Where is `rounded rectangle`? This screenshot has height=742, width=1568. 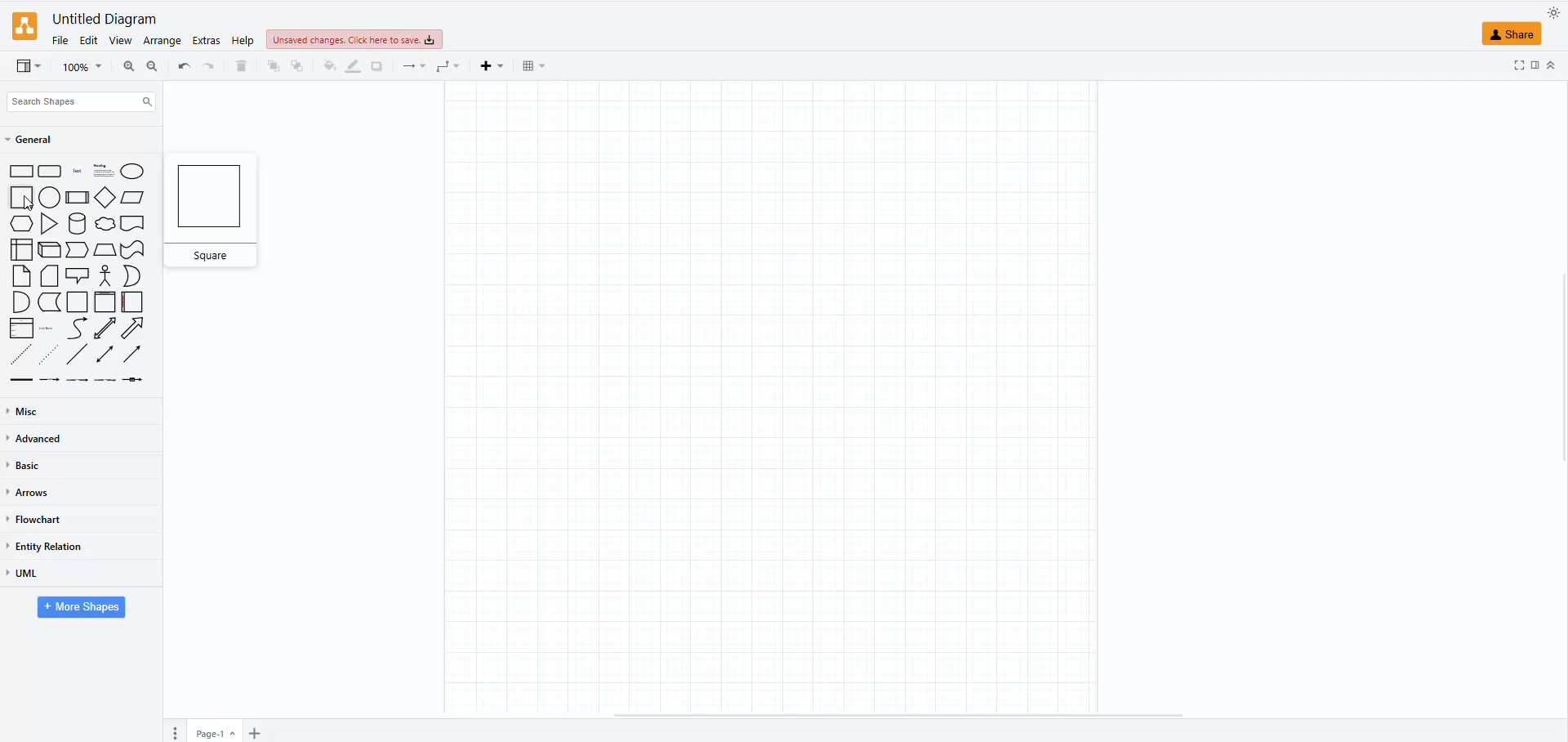 rounded rectangle is located at coordinates (51, 172).